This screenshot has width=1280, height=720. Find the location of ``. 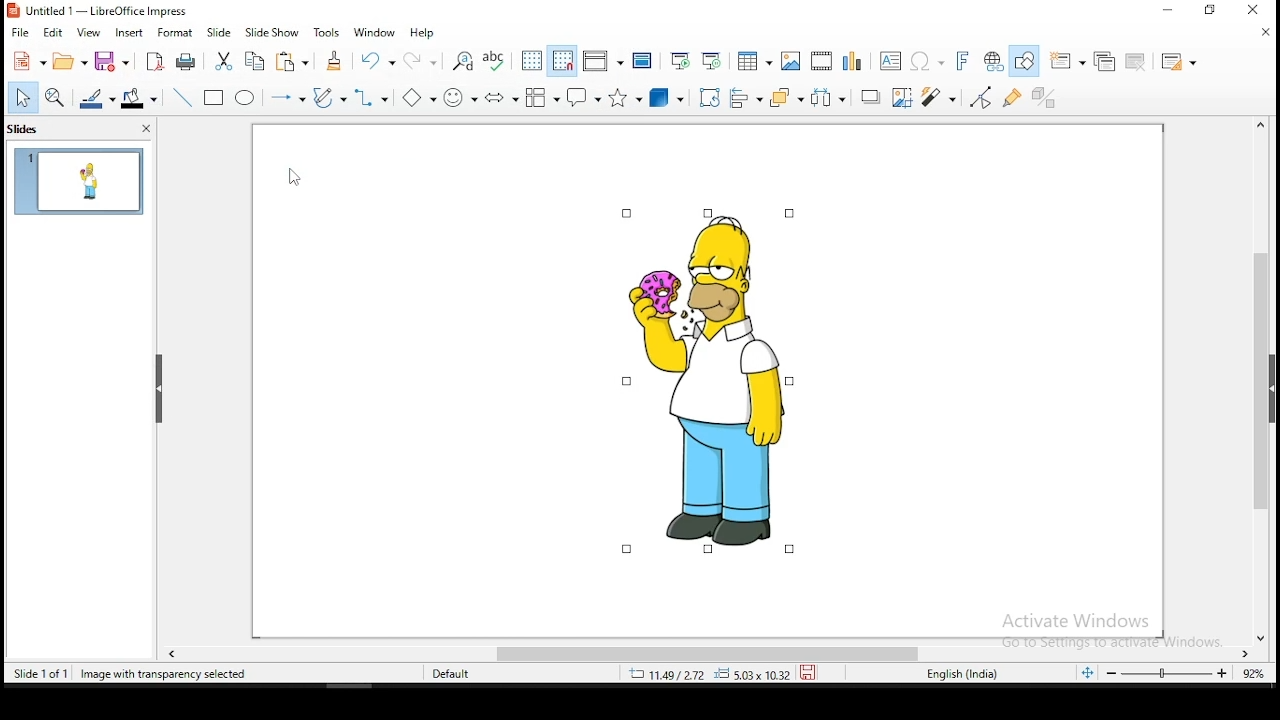

 is located at coordinates (502, 97).